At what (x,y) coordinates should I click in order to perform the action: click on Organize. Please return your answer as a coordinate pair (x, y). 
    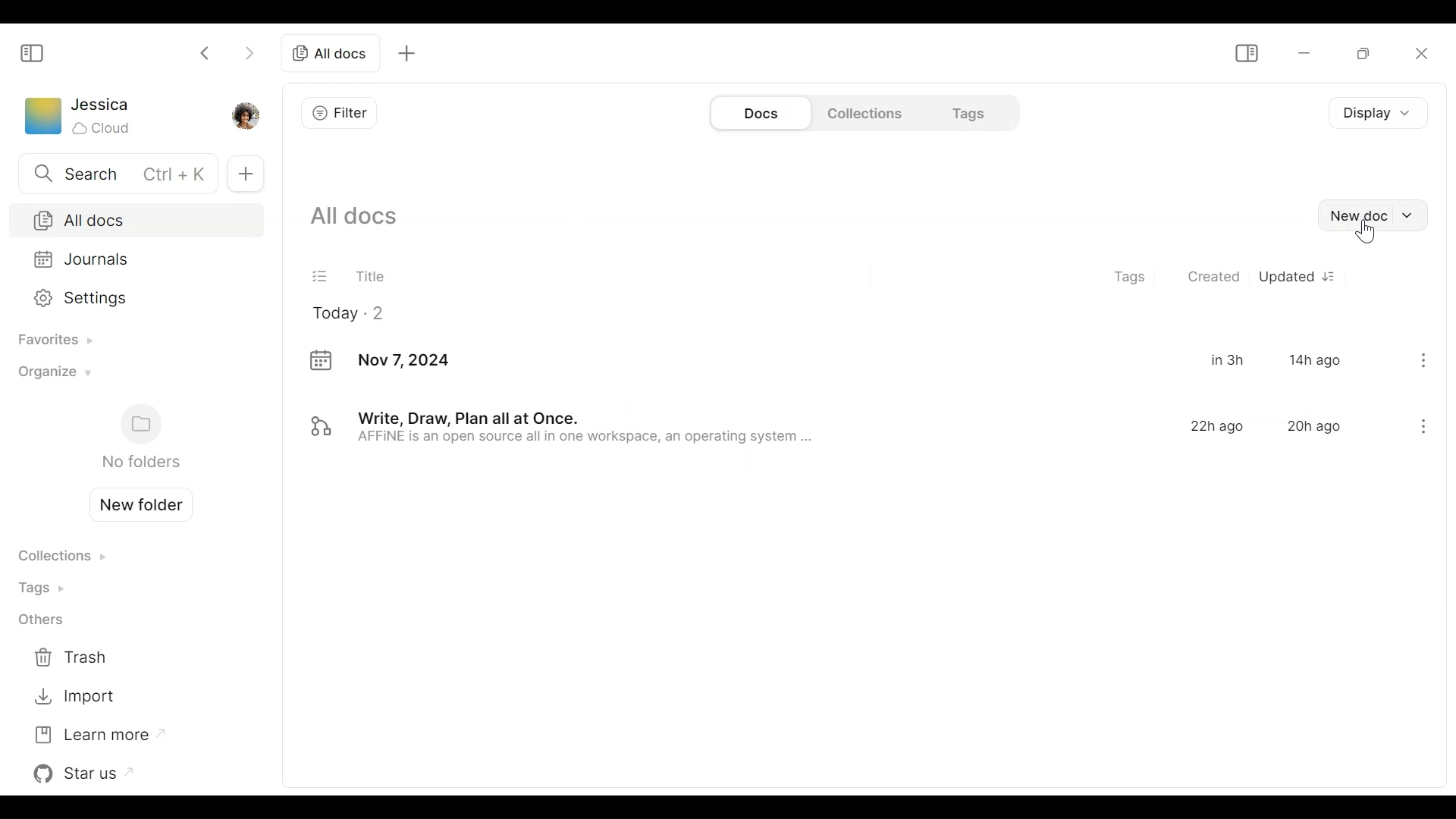
    Looking at the image, I should click on (51, 376).